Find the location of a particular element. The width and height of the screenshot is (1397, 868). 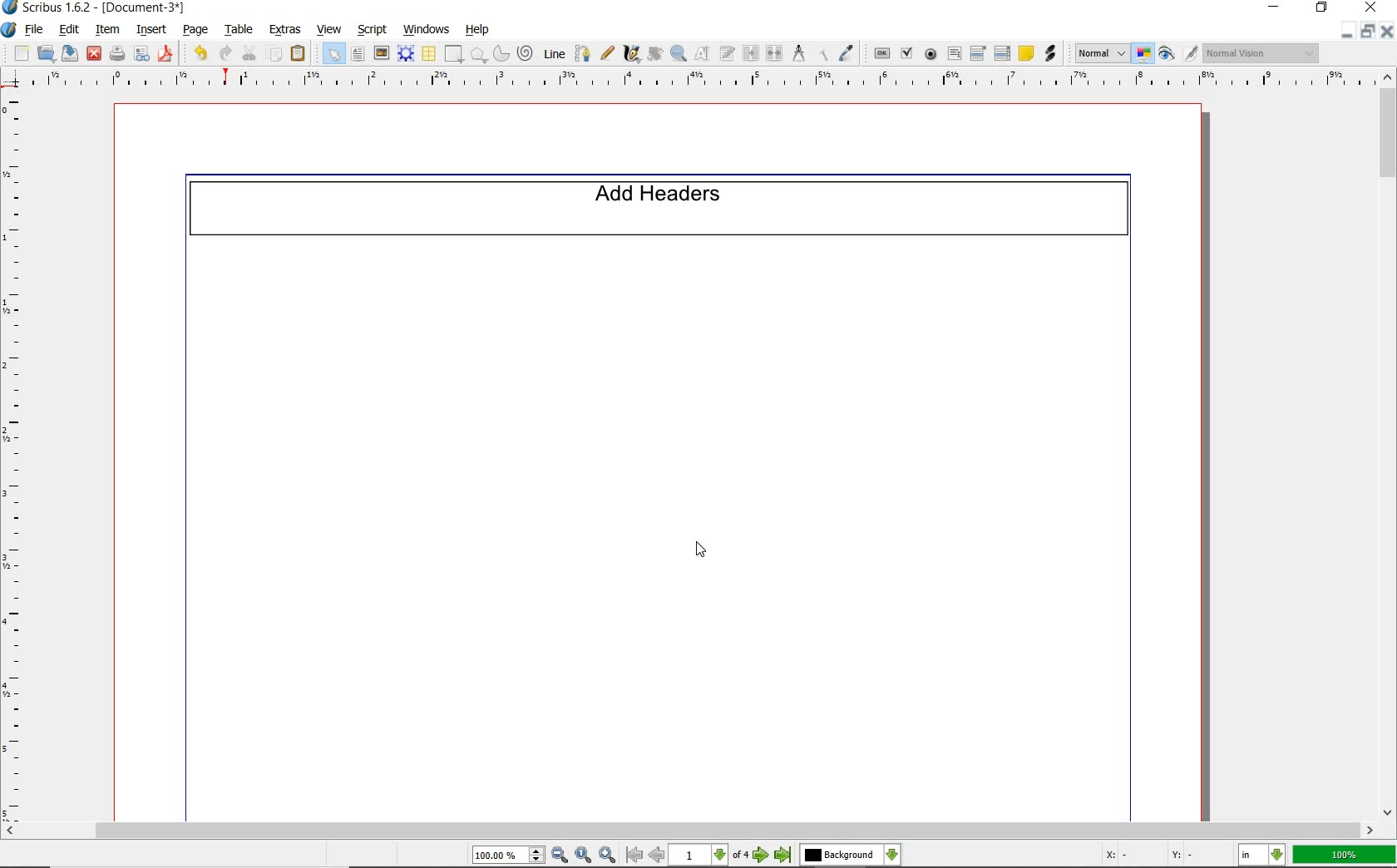

close is located at coordinates (1370, 8).